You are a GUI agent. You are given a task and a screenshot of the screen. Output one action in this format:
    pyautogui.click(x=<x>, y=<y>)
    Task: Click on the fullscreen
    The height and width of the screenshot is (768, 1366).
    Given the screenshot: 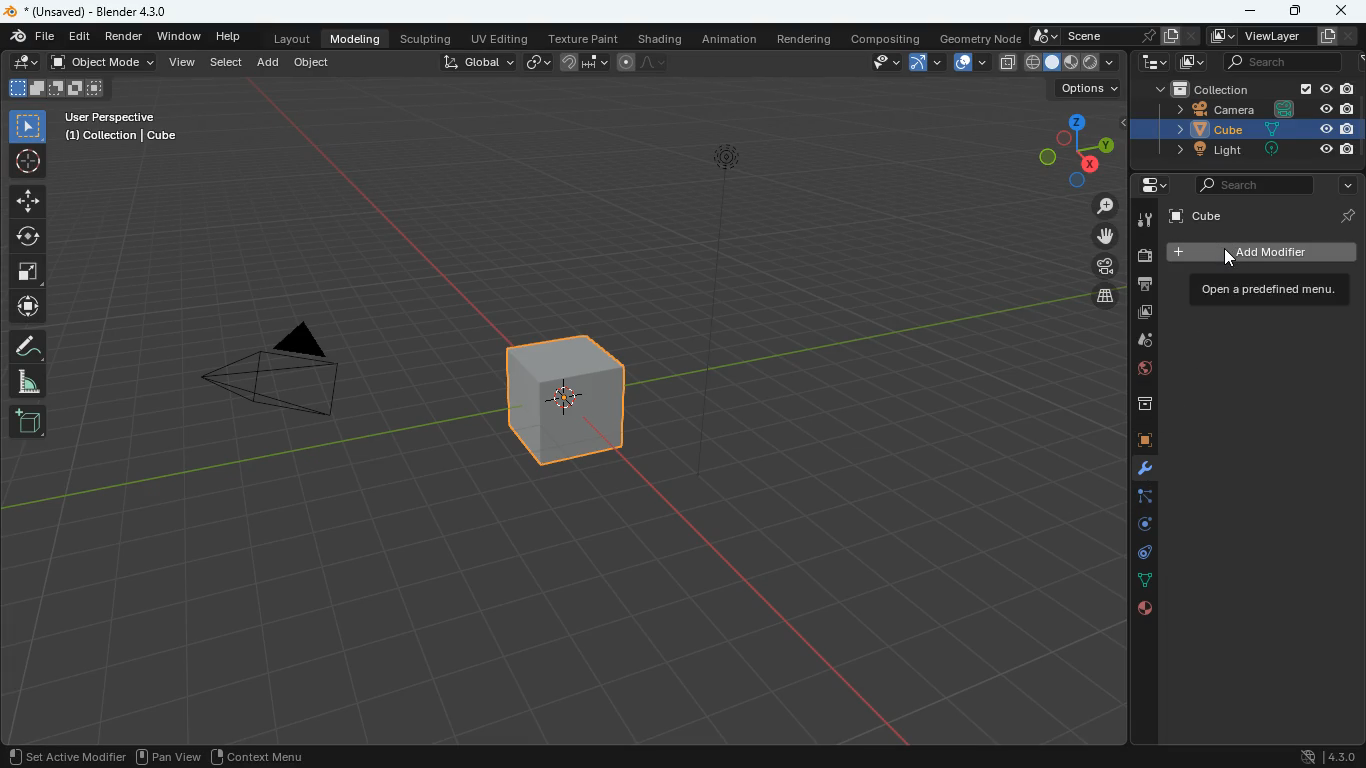 What is the action you would take?
    pyautogui.click(x=23, y=274)
    